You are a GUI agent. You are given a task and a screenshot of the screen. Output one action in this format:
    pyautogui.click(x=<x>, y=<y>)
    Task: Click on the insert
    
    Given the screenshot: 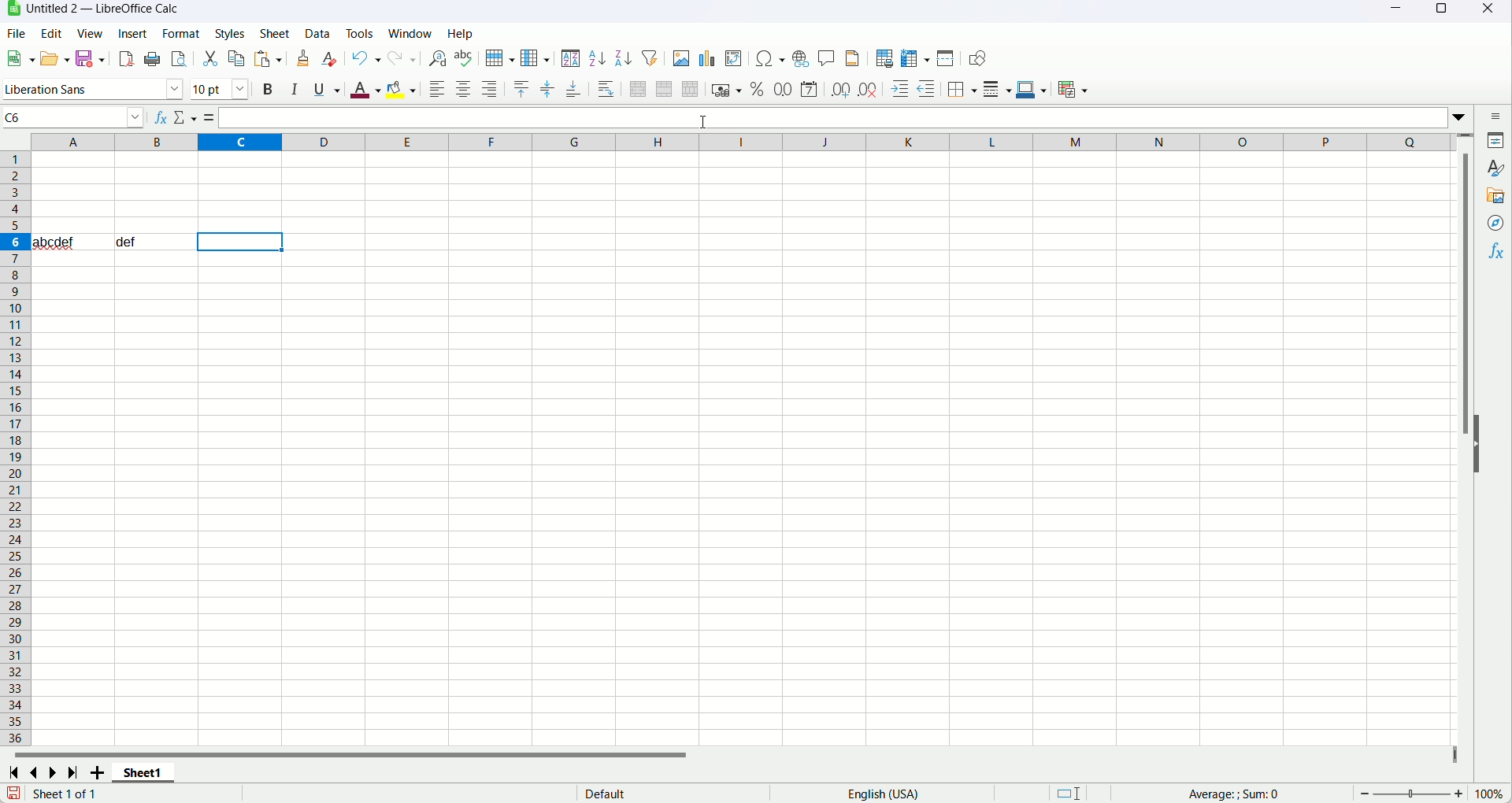 What is the action you would take?
    pyautogui.click(x=132, y=32)
    